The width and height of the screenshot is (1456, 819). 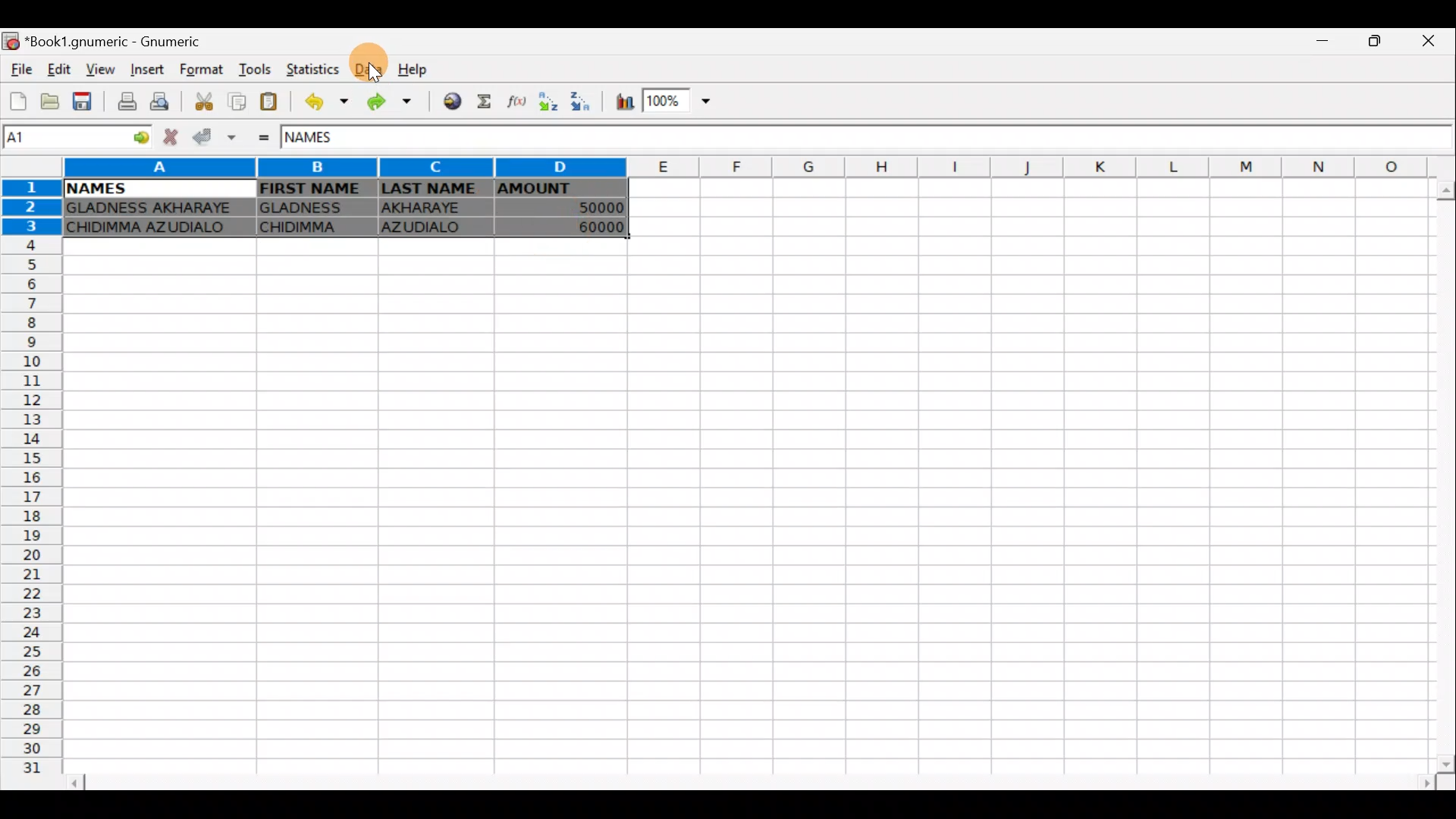 What do you see at coordinates (168, 138) in the screenshot?
I see `Cancel change` at bounding box center [168, 138].